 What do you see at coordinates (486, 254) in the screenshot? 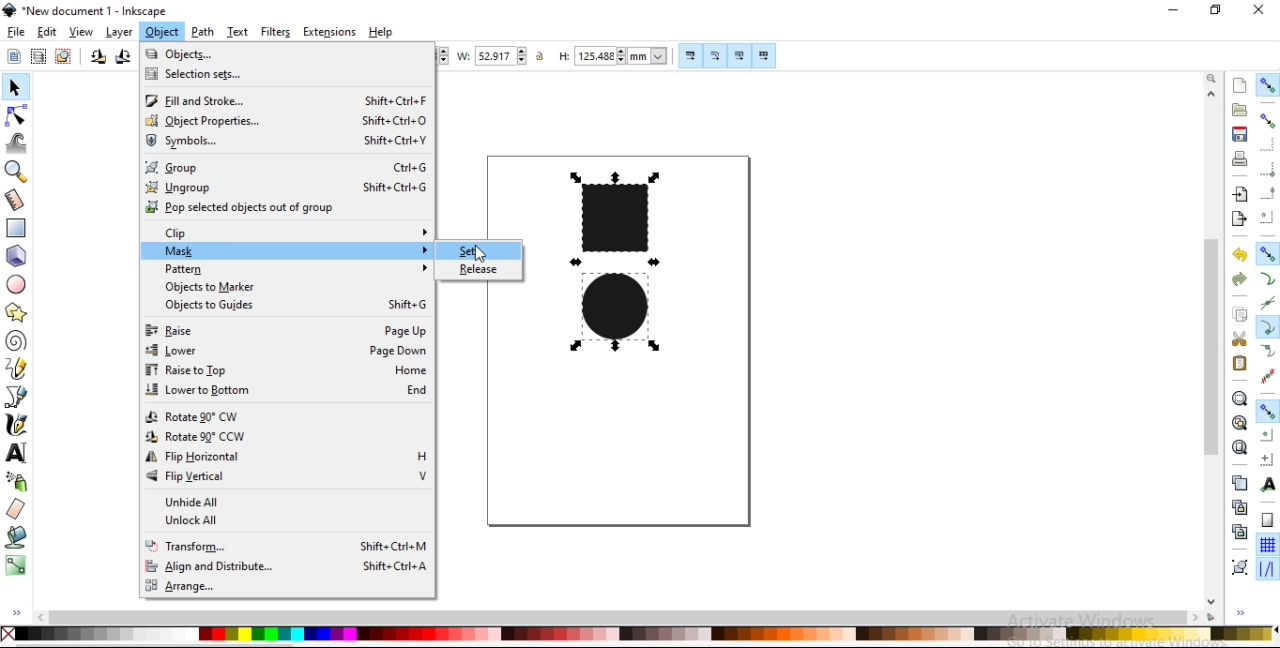
I see `cursor` at bounding box center [486, 254].